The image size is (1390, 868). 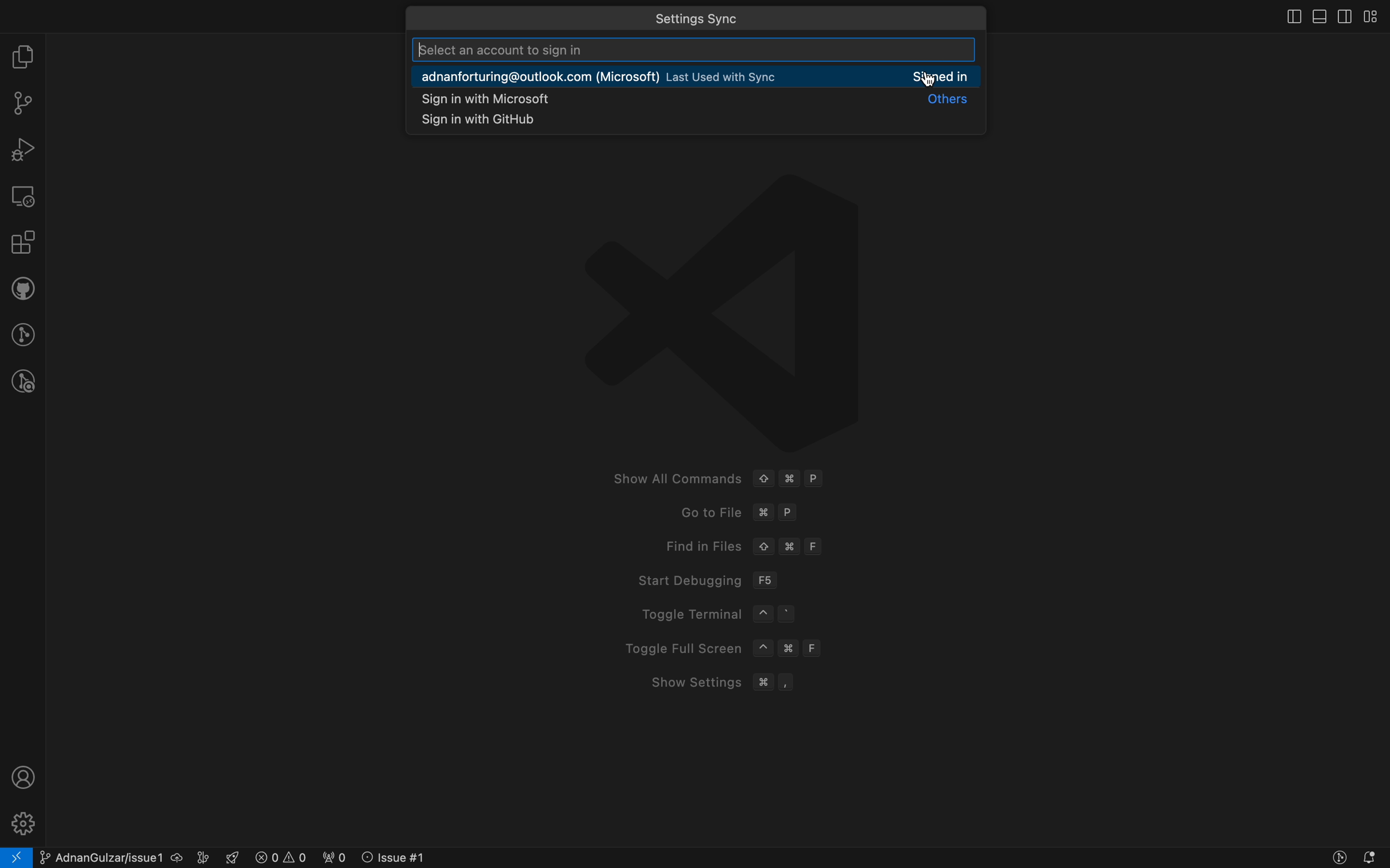 What do you see at coordinates (724, 553) in the screenshot?
I see `welcome screen` at bounding box center [724, 553].